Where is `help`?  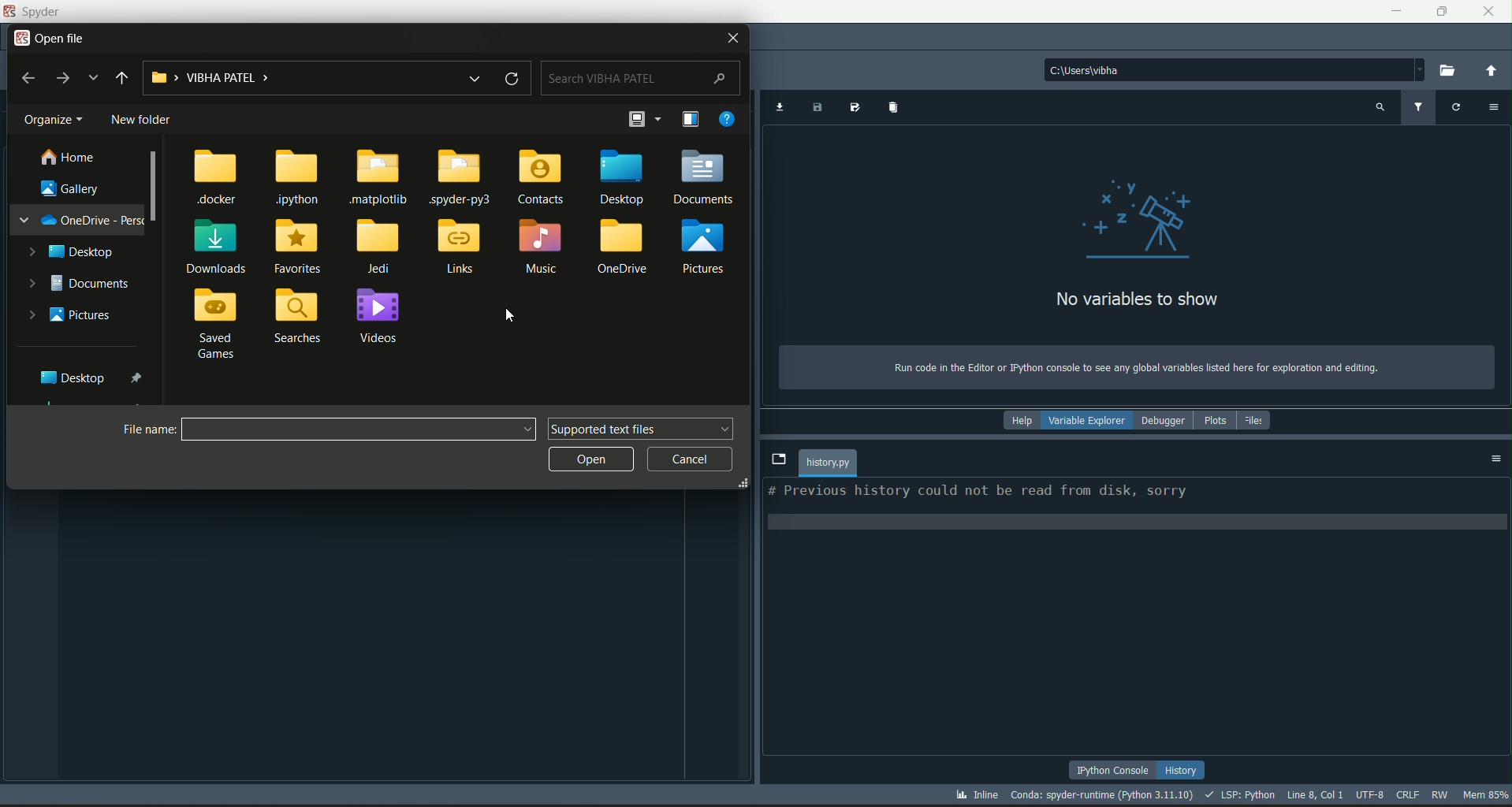
help is located at coordinates (1019, 421).